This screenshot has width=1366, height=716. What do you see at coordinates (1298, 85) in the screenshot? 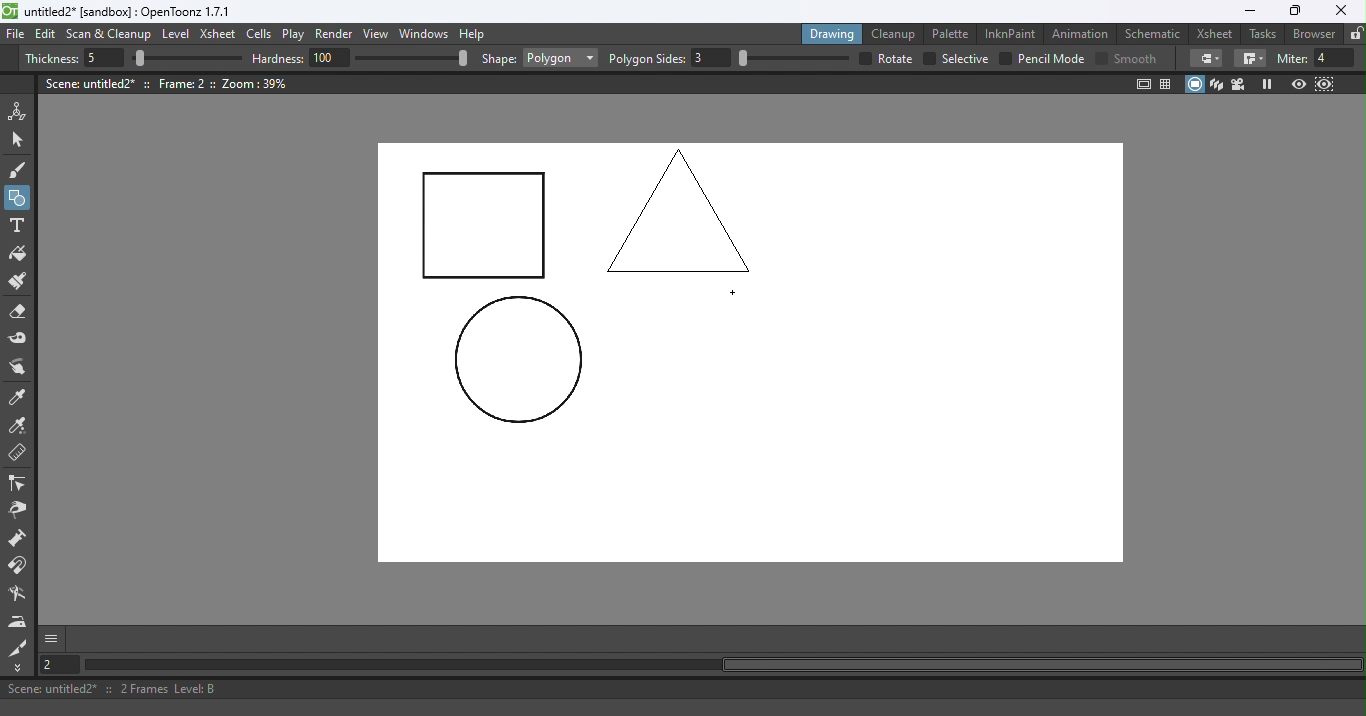
I see `Preview` at bounding box center [1298, 85].